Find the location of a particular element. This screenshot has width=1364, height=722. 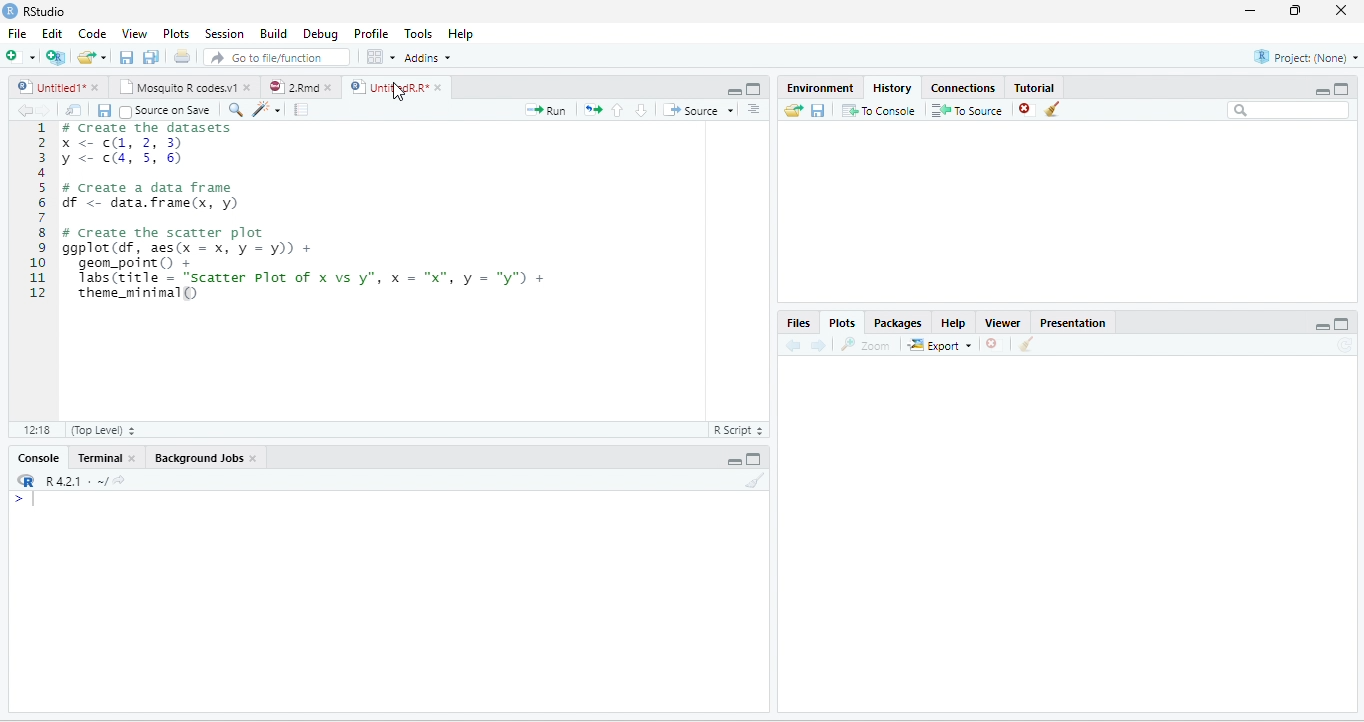

Line numbers is located at coordinates (36, 212).